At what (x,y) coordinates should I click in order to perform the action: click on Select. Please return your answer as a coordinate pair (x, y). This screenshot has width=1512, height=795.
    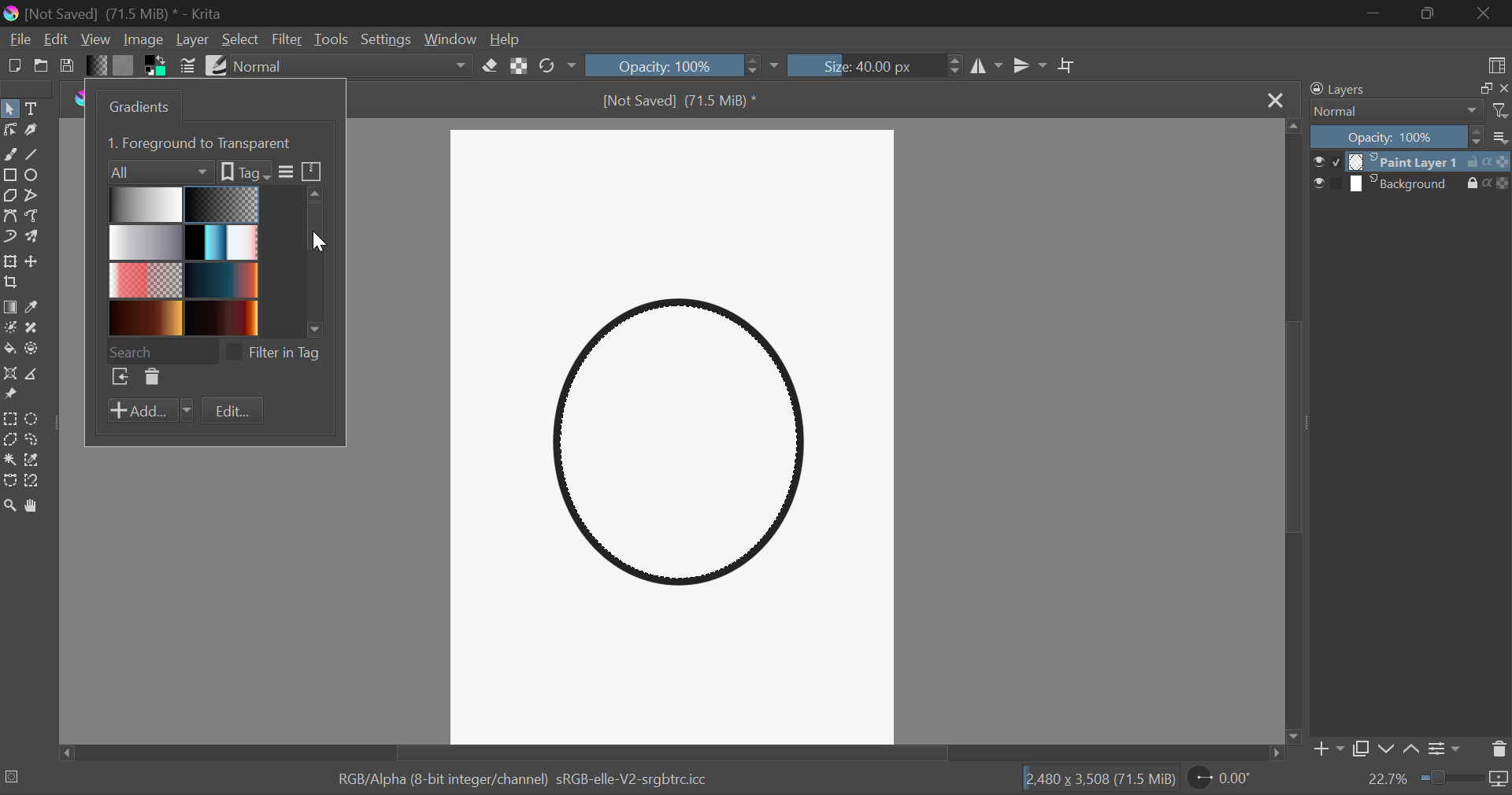
    Looking at the image, I should click on (241, 42).